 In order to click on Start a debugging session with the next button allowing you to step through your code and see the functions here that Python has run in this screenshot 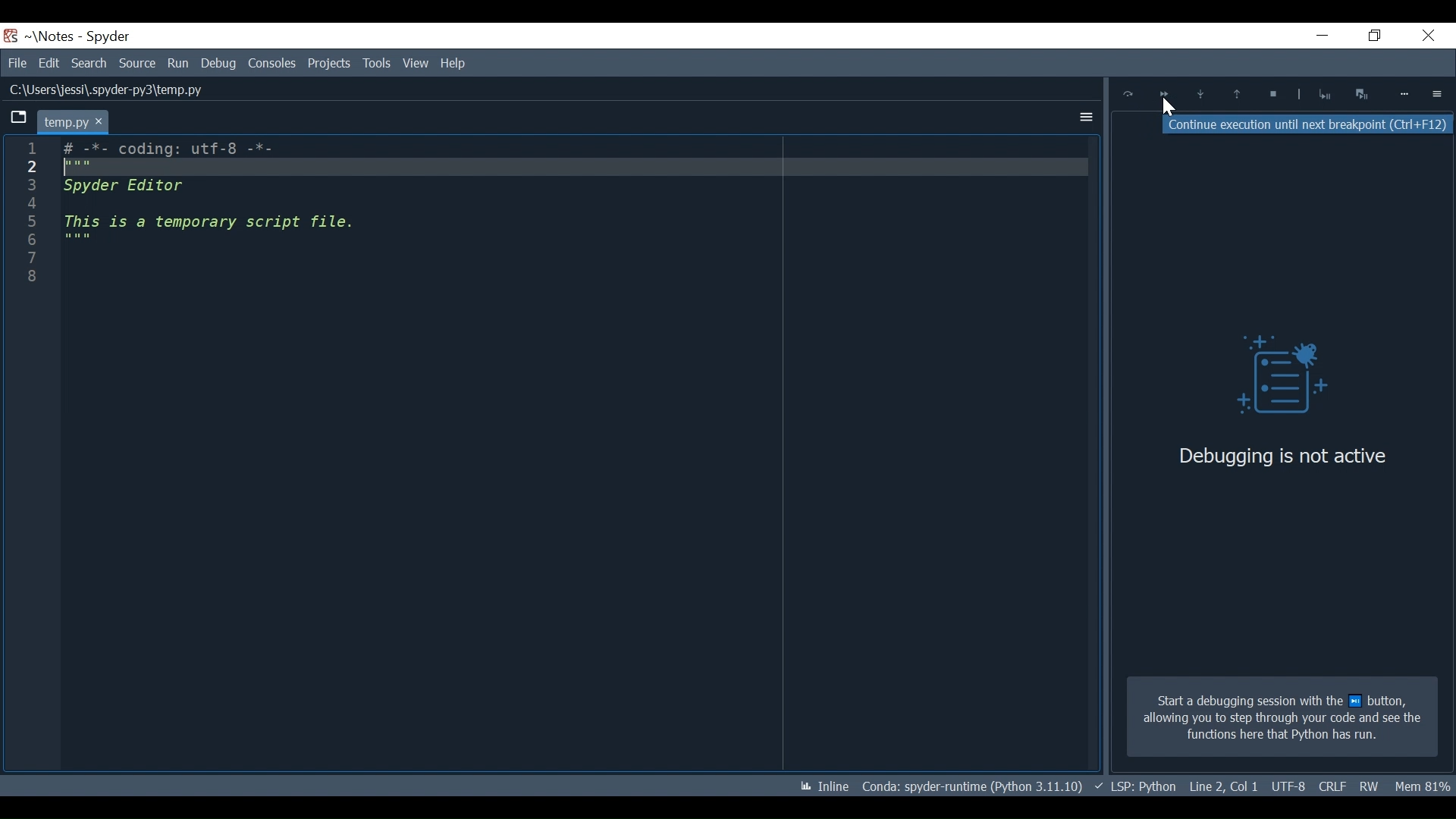, I will do `click(1282, 717)`.